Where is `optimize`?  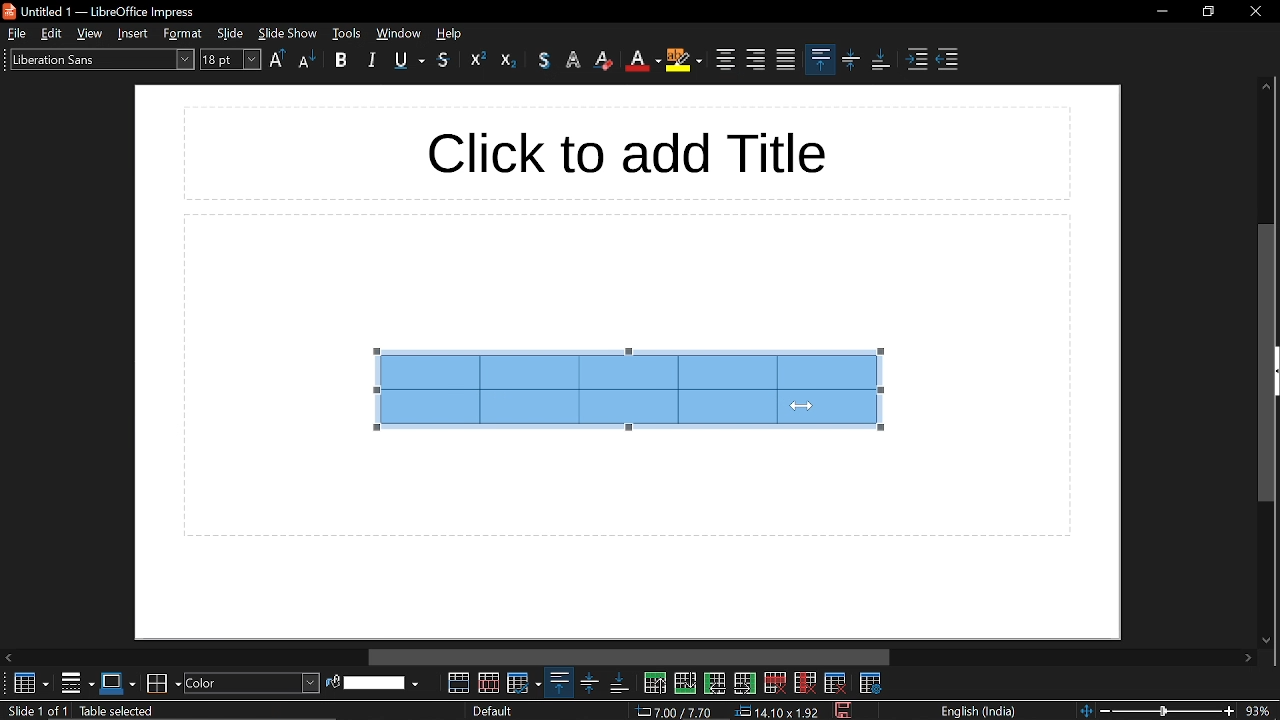
optimize is located at coordinates (525, 682).